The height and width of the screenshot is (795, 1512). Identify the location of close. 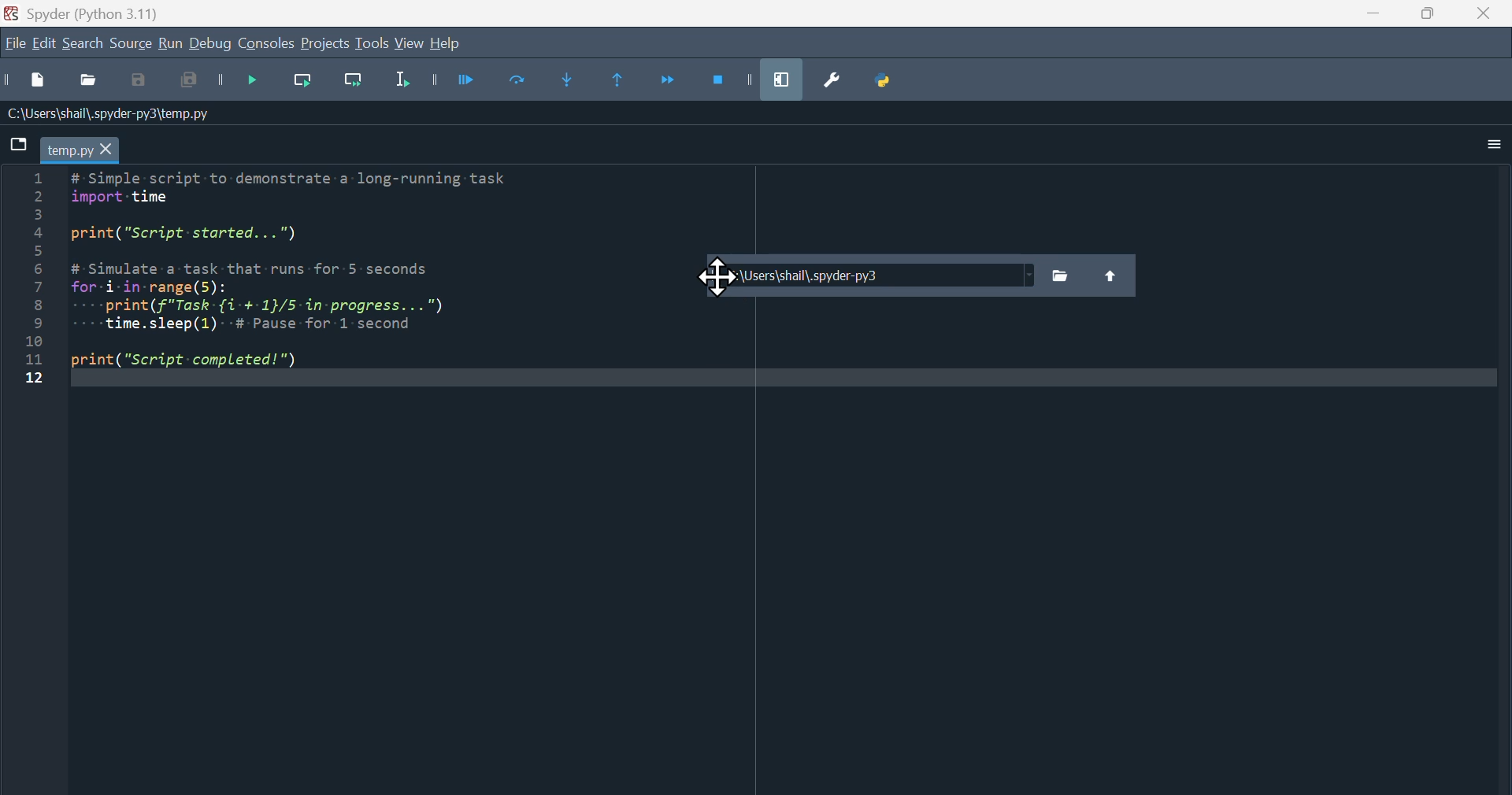
(1487, 18).